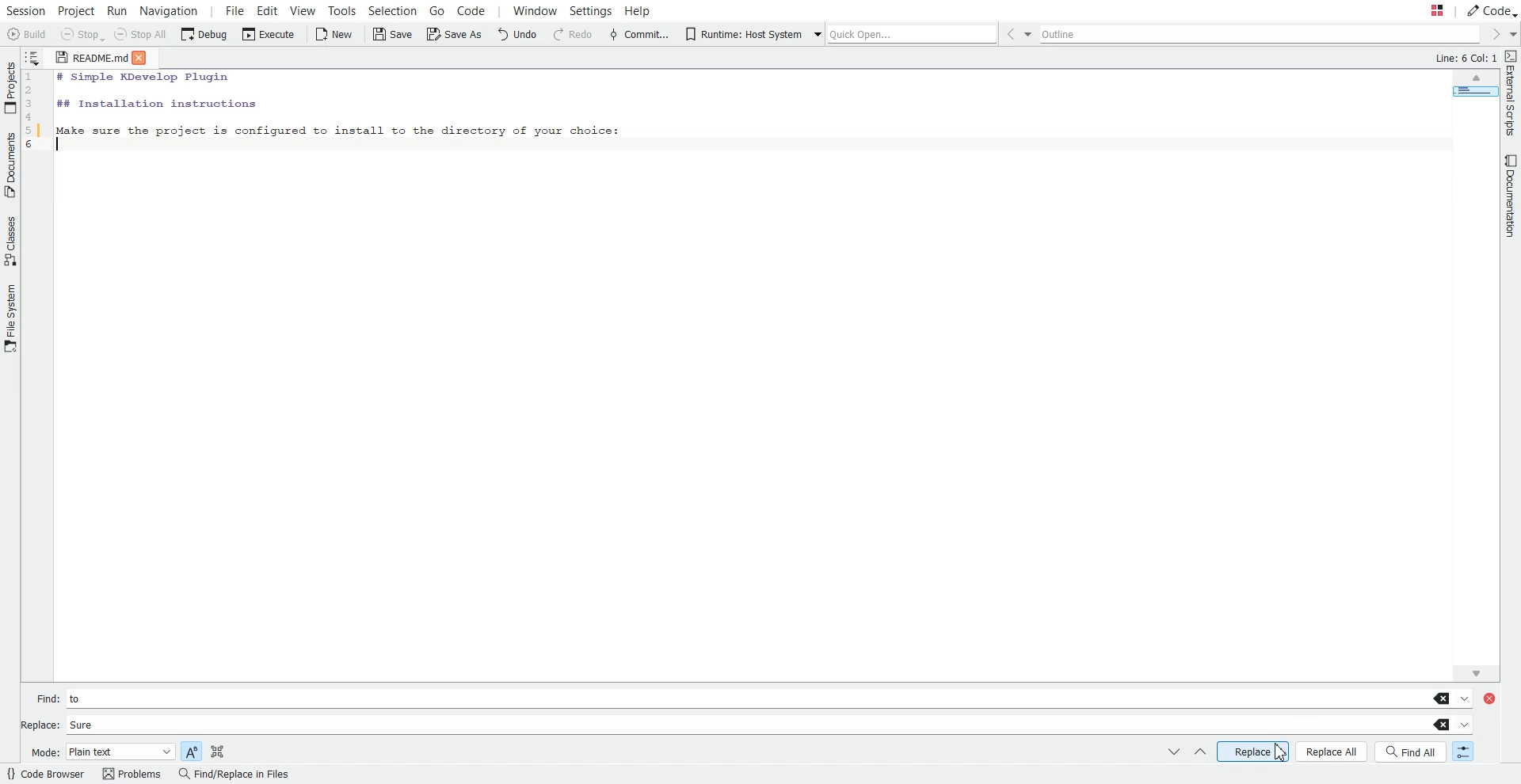 This screenshot has width=1521, height=784. What do you see at coordinates (436, 10) in the screenshot?
I see `Go` at bounding box center [436, 10].